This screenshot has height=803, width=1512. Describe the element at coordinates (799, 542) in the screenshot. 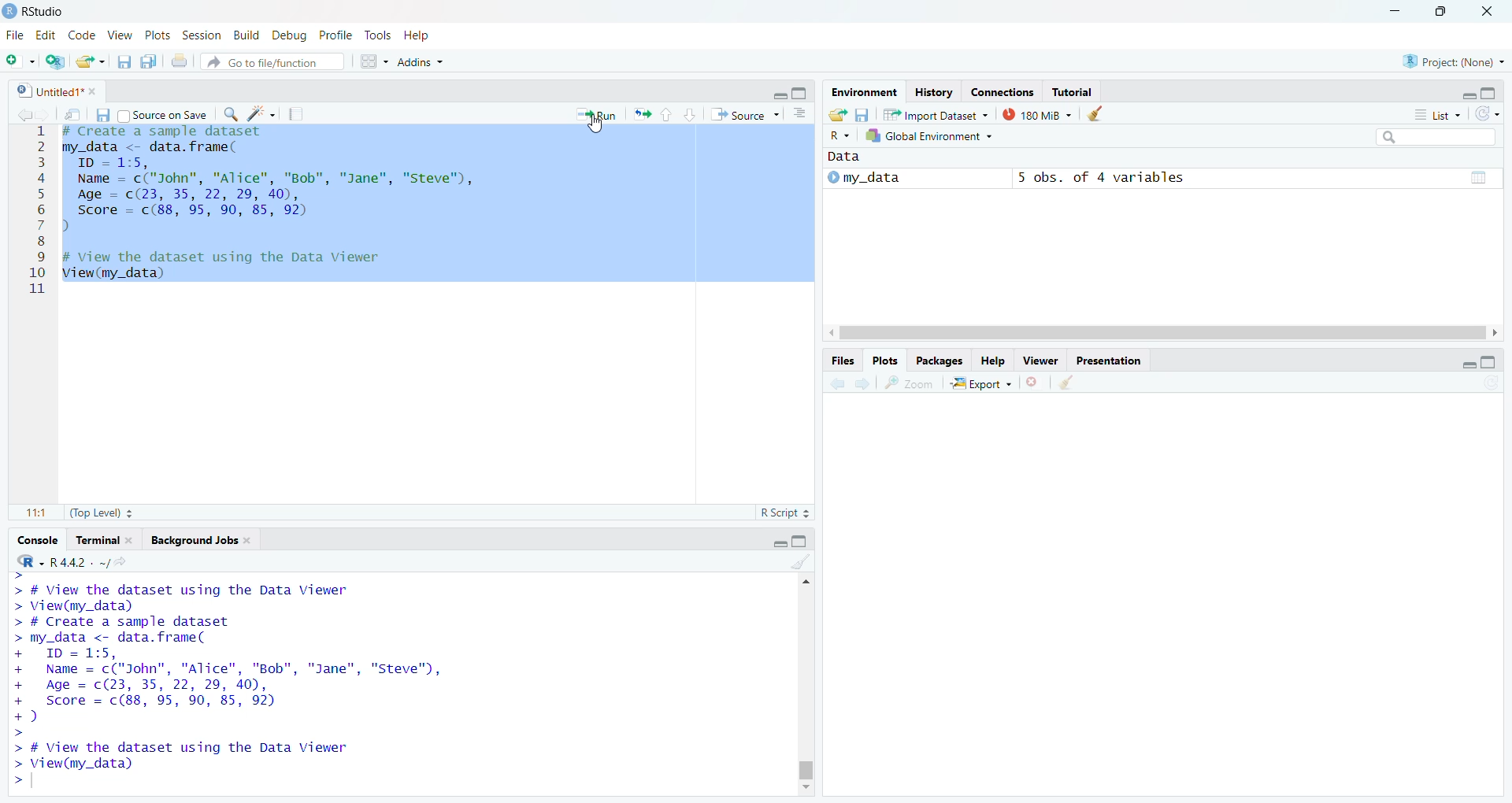

I see `Maximize` at that location.